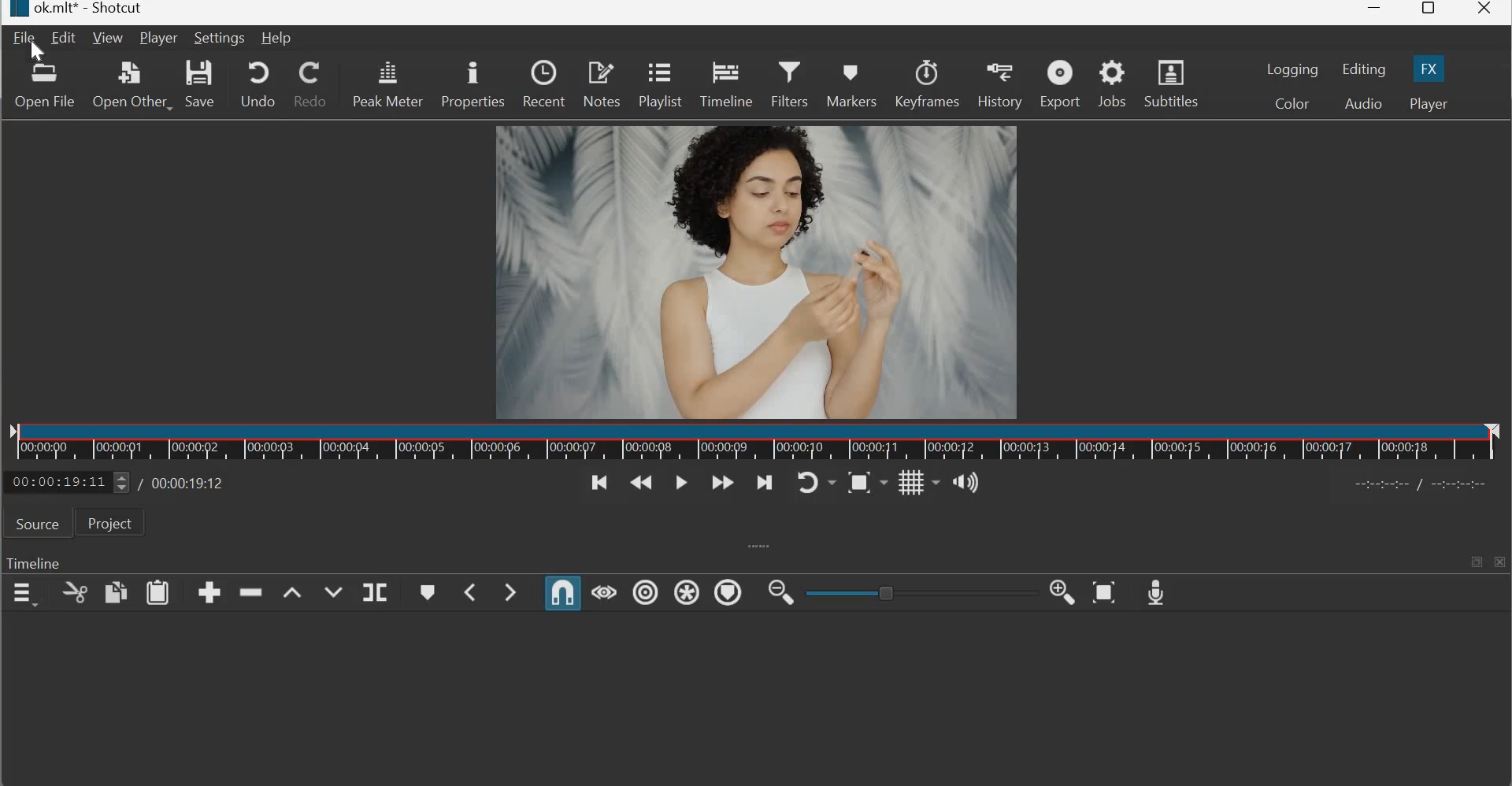  What do you see at coordinates (1474, 560) in the screenshot?
I see `maximize` at bounding box center [1474, 560].